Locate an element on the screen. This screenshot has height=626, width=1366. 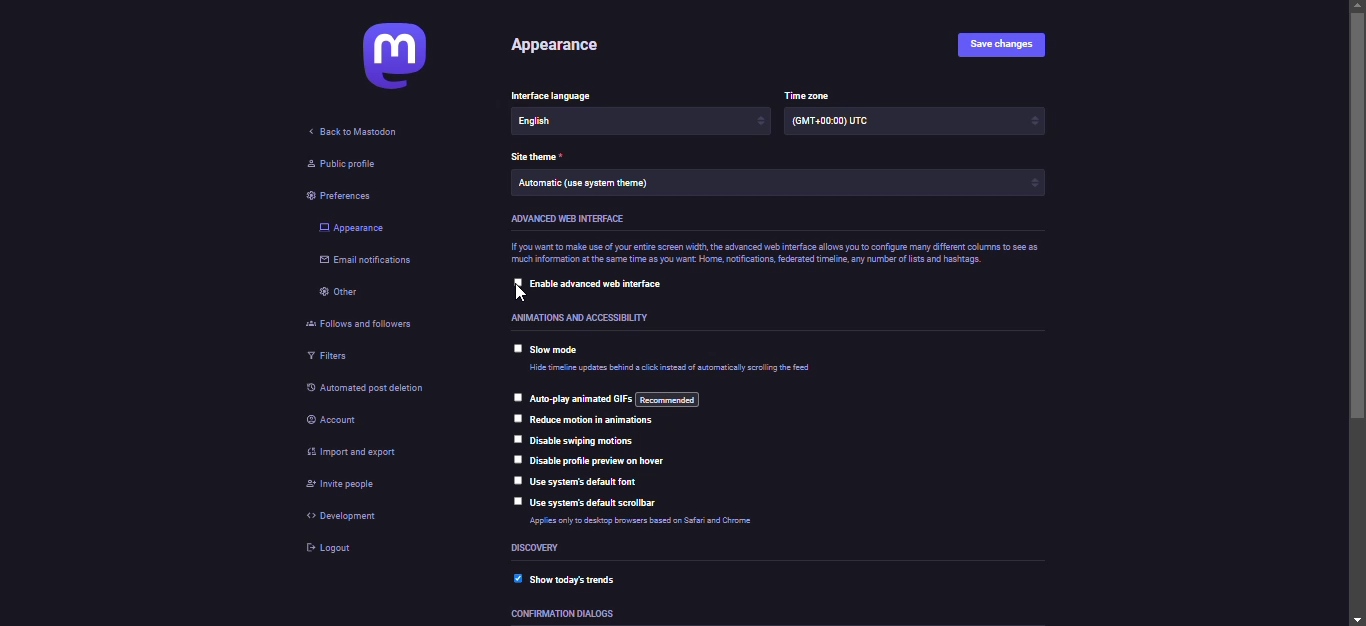
increase/decrease arrows is located at coordinates (1035, 183).